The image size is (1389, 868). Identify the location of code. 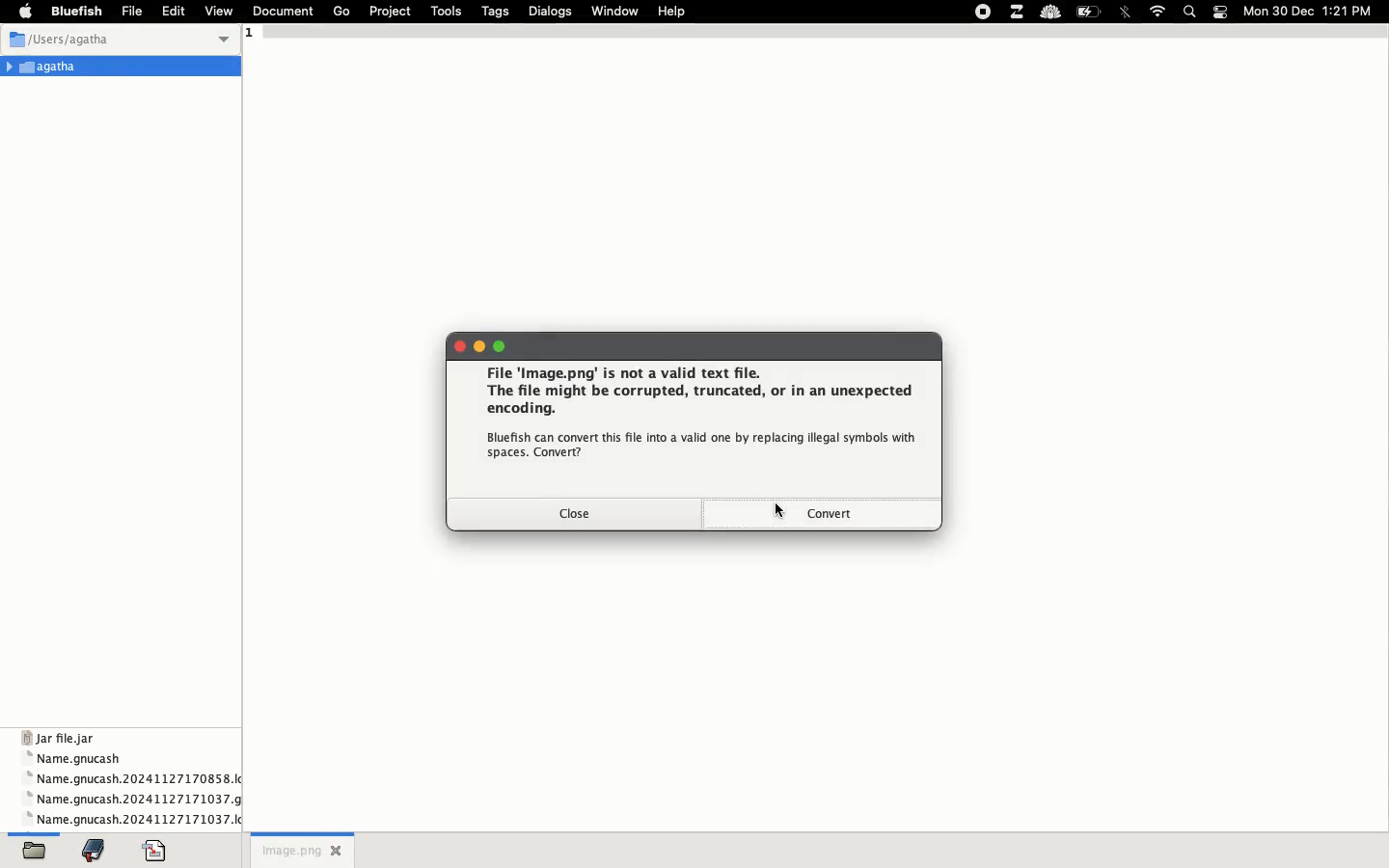
(155, 851).